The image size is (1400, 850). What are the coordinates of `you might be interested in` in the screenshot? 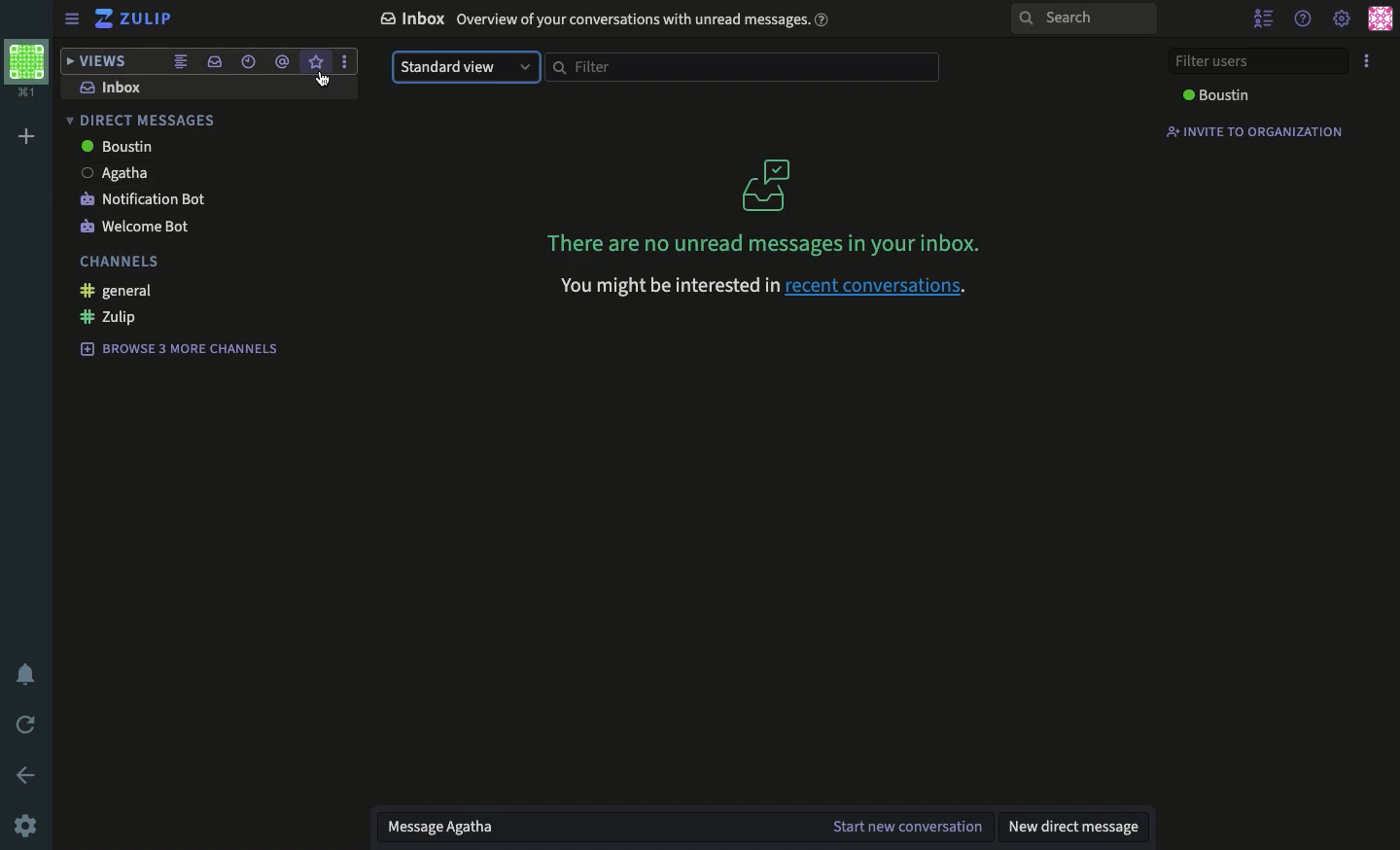 It's located at (666, 287).